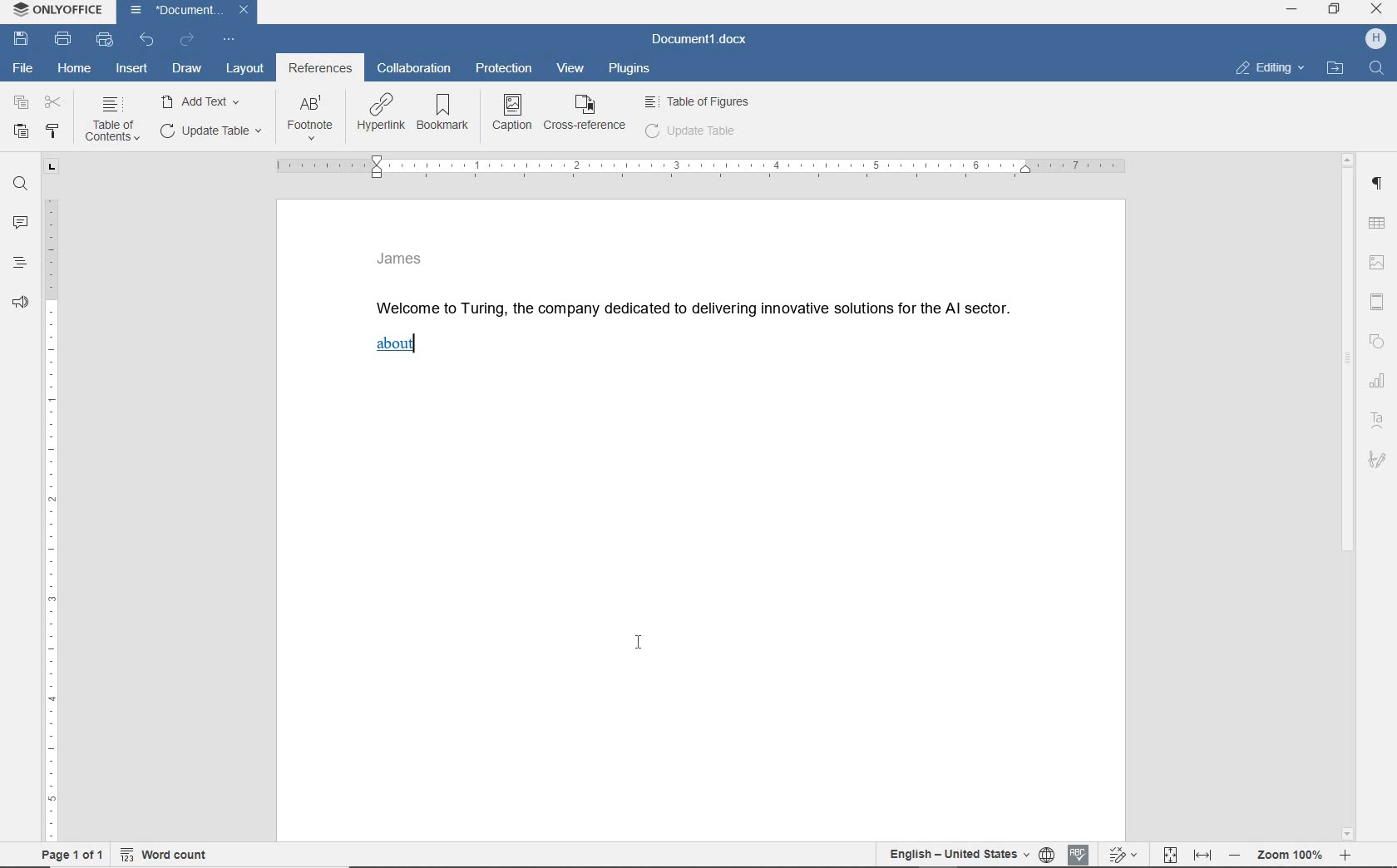 The height and width of the screenshot is (868, 1397). I want to click on Editing, so click(1277, 67).